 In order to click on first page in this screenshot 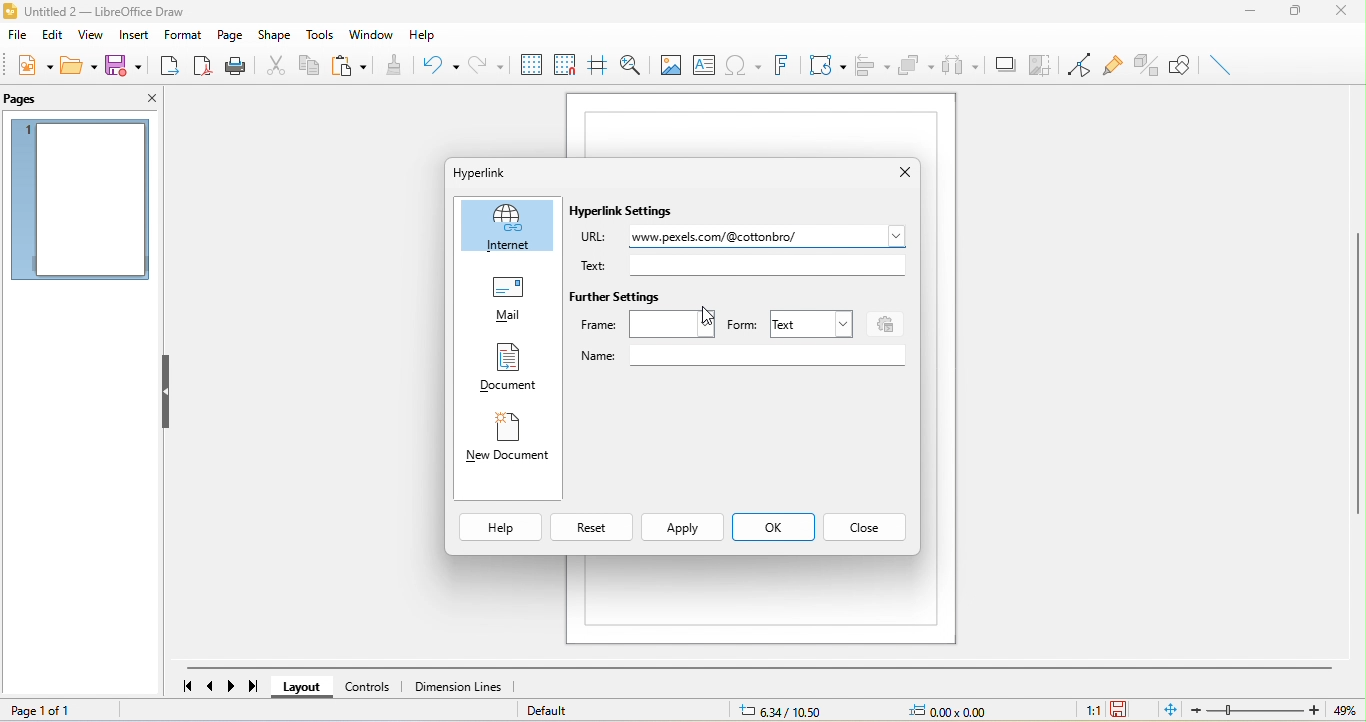, I will do `click(187, 687)`.